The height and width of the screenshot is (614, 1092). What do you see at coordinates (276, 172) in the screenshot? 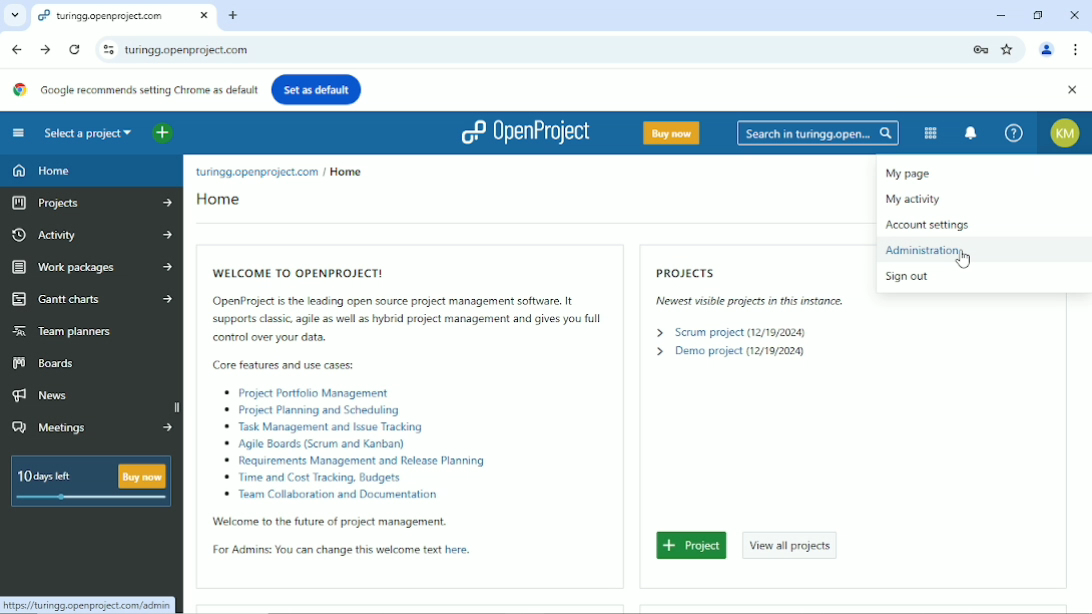
I see `location: tunngg.openproject.com / Home` at bounding box center [276, 172].